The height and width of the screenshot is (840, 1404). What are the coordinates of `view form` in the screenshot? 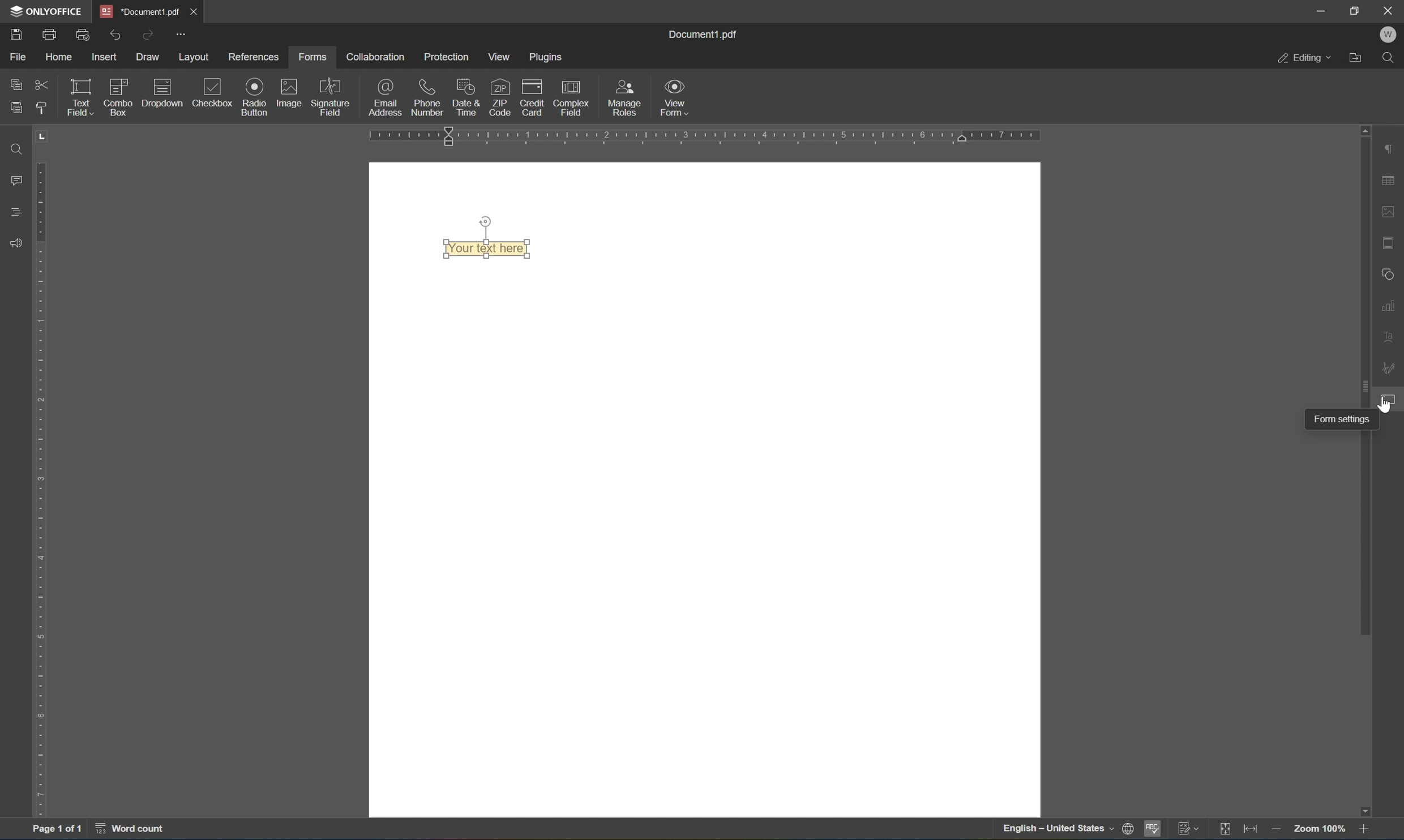 It's located at (677, 97).